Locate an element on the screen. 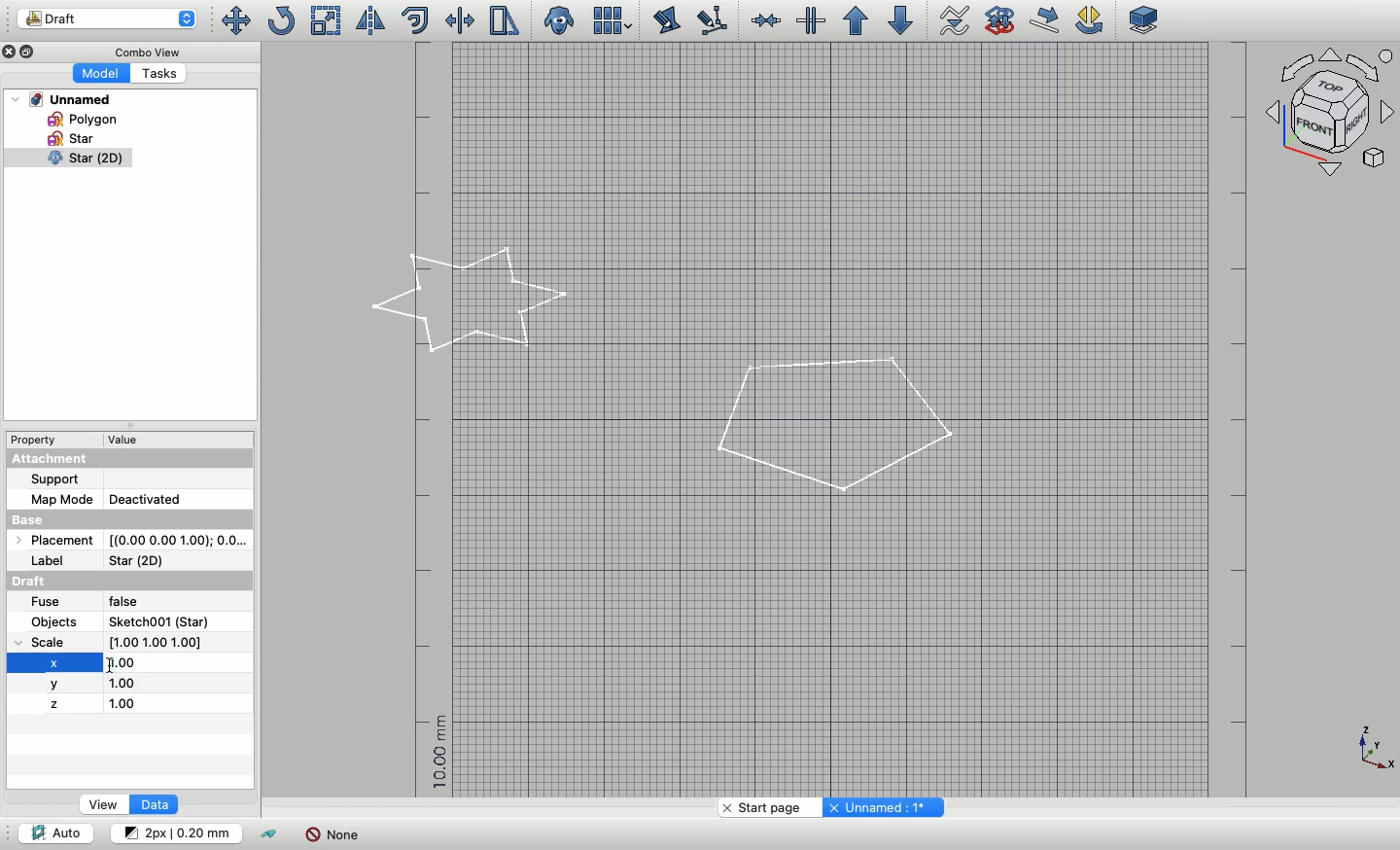 The height and width of the screenshot is (850, 1400). False is located at coordinates (138, 602).